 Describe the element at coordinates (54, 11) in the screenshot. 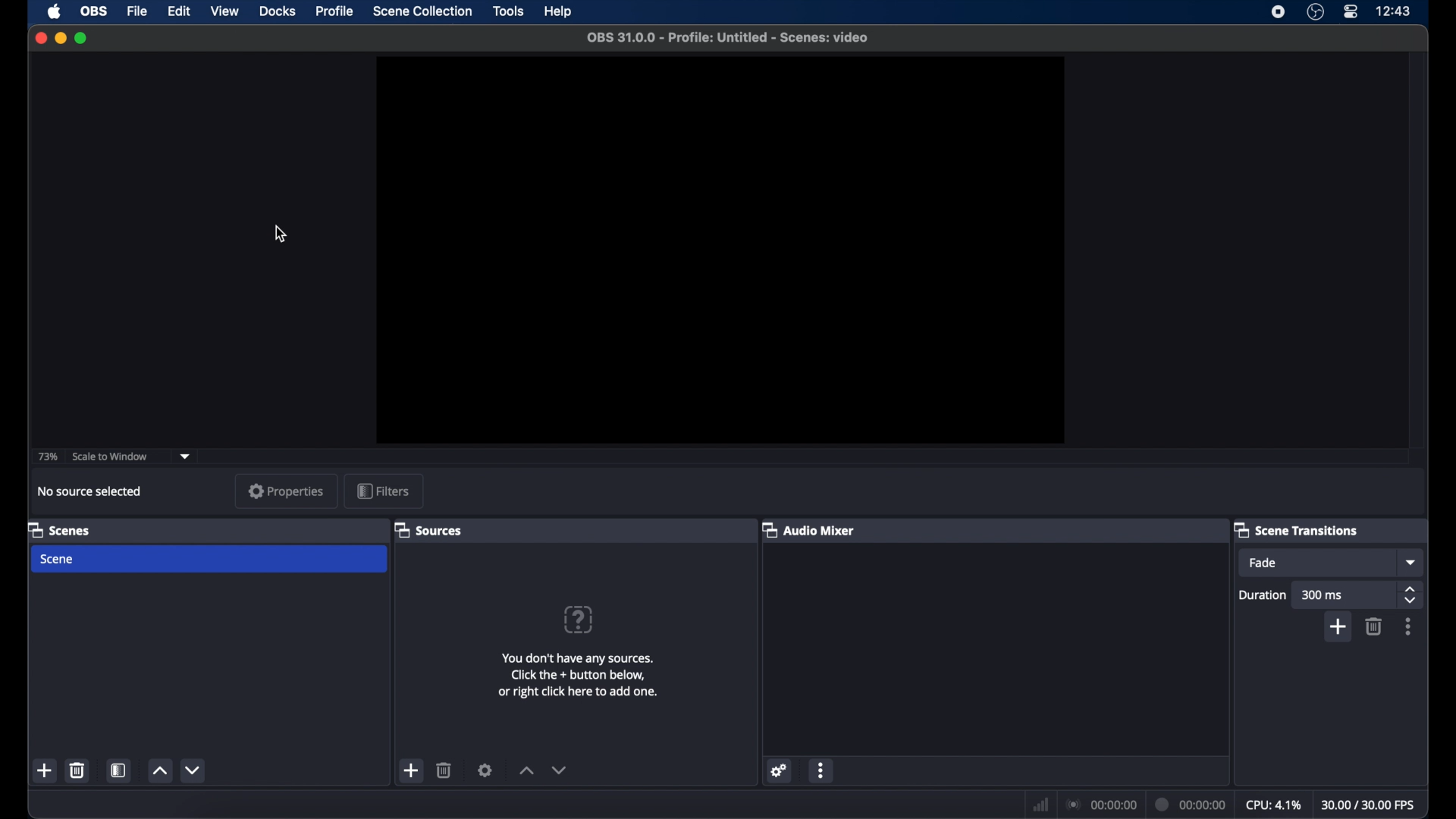

I see `apple icon` at that location.